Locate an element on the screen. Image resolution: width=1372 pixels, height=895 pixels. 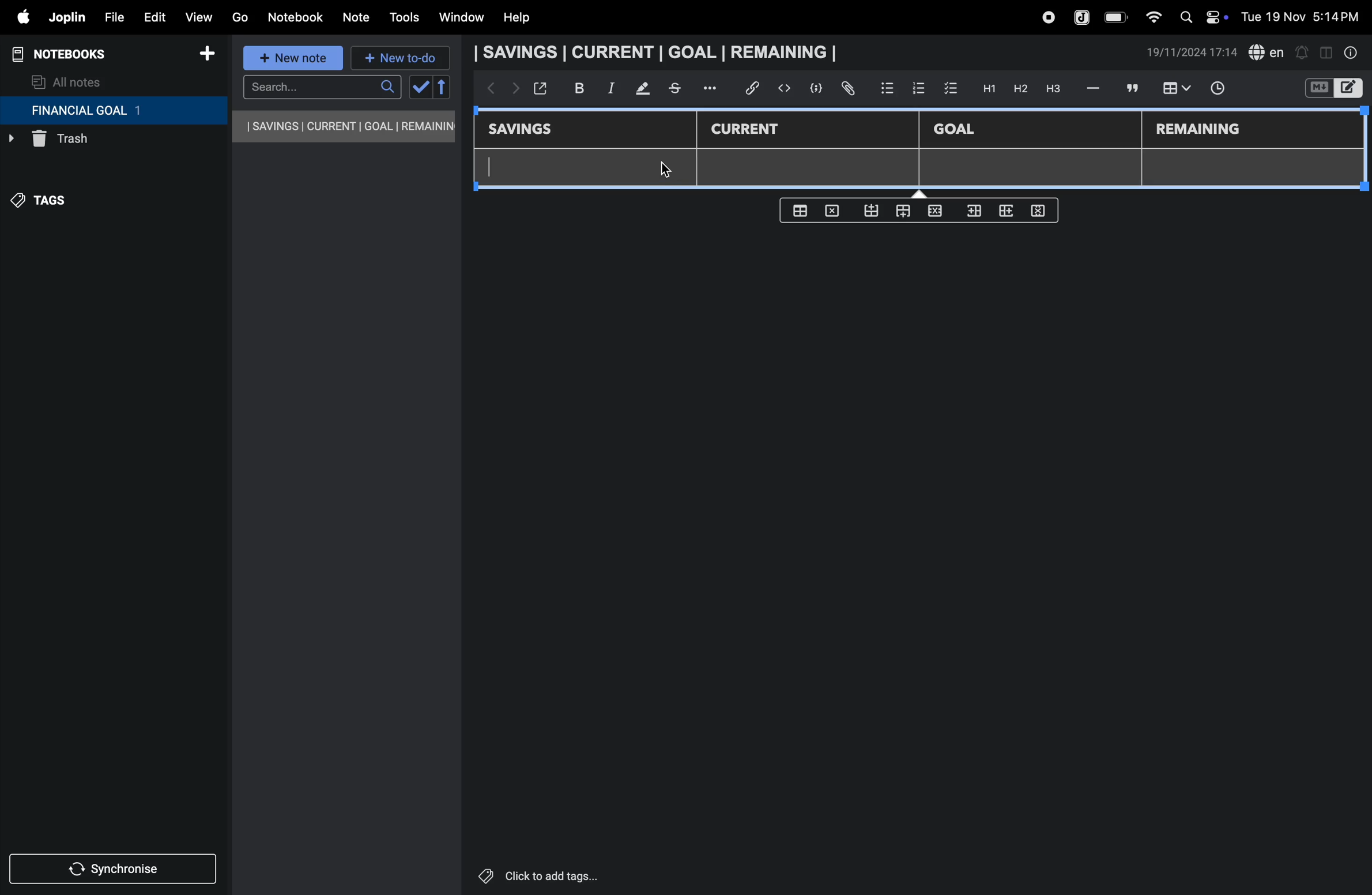
bold is located at coordinates (573, 88).